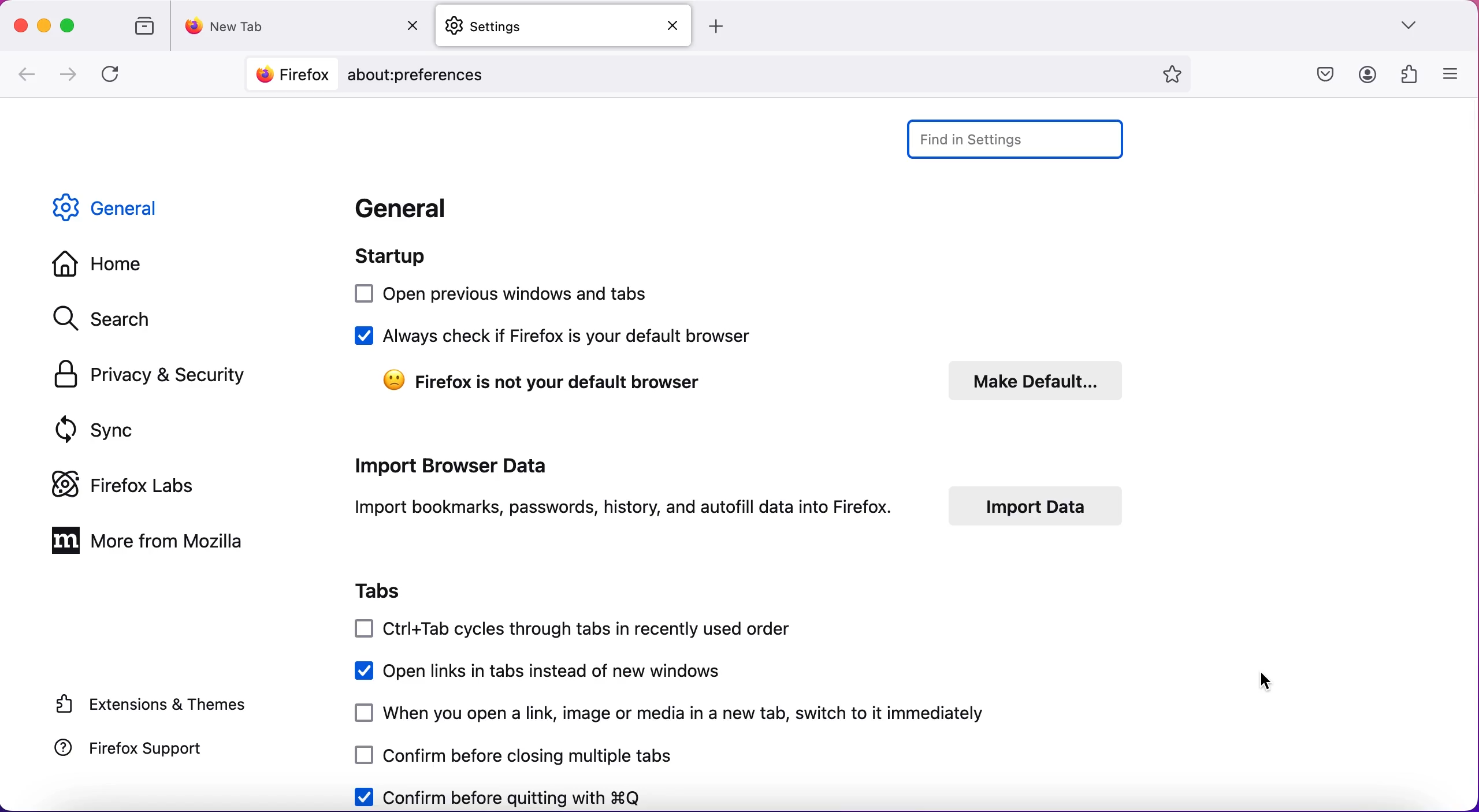  I want to click on home, so click(98, 263).